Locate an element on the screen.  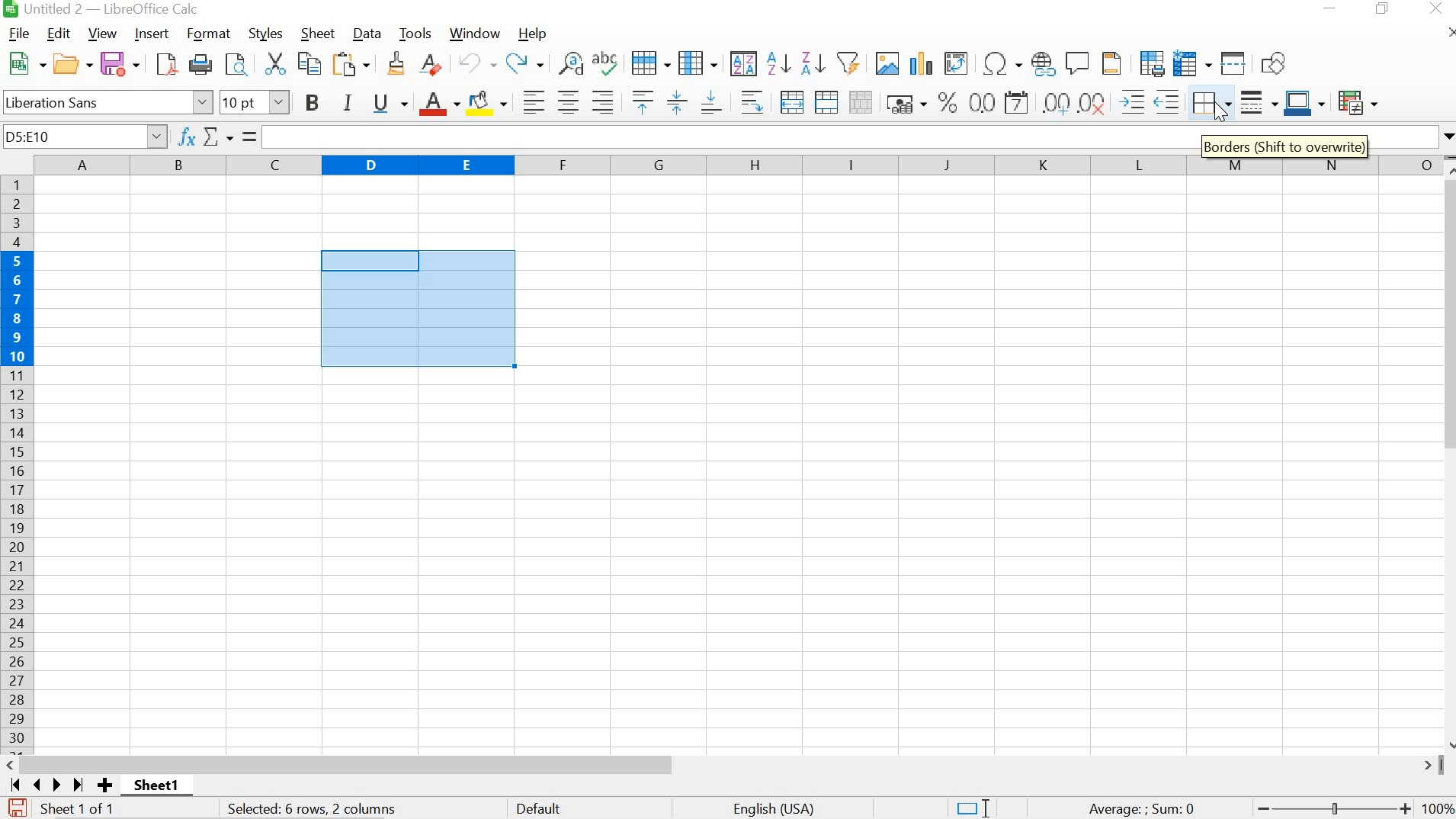
FILE is located at coordinates (20, 33).